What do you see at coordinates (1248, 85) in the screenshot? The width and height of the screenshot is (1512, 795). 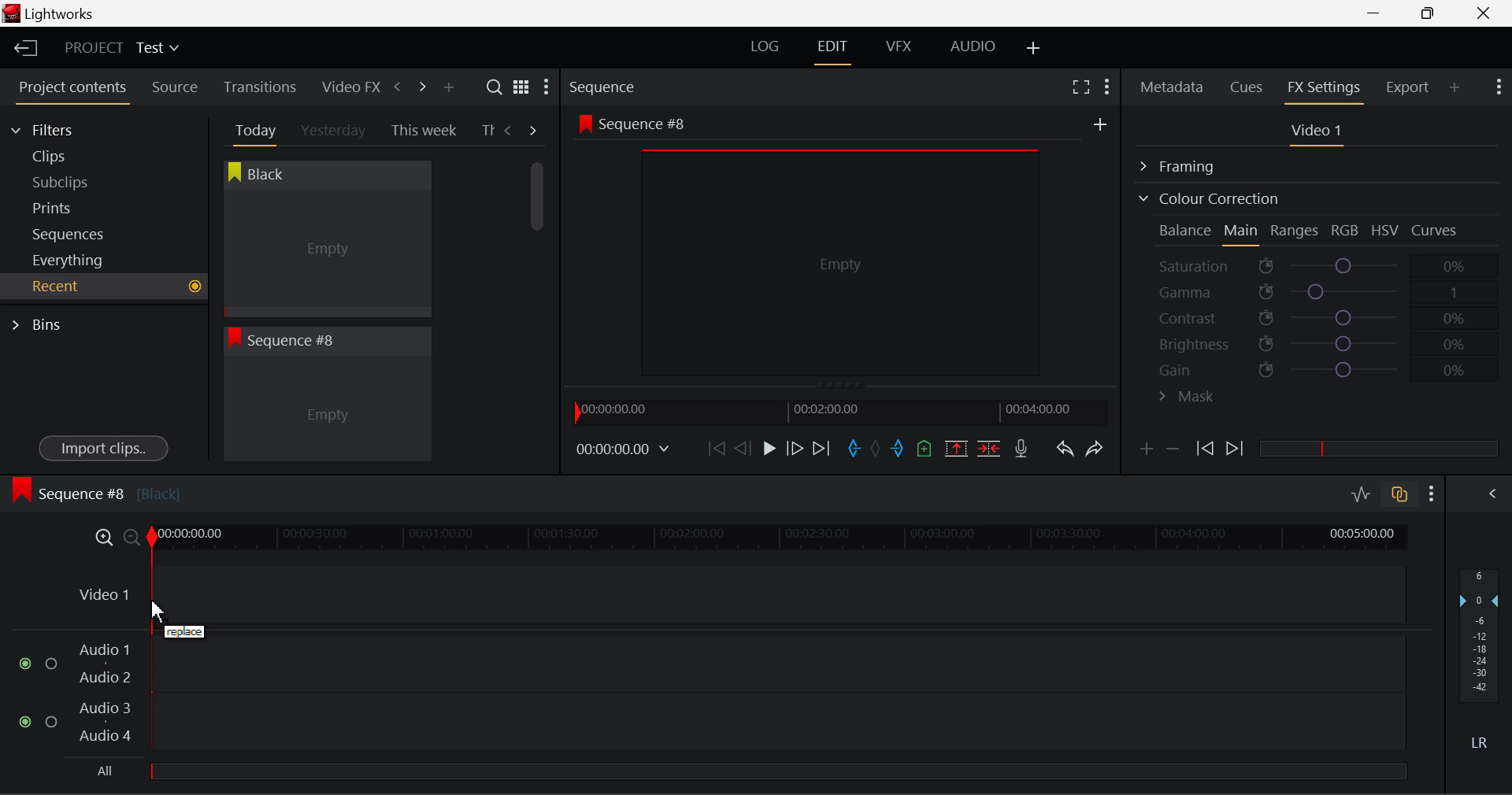 I see `Cues Panel` at bounding box center [1248, 85].